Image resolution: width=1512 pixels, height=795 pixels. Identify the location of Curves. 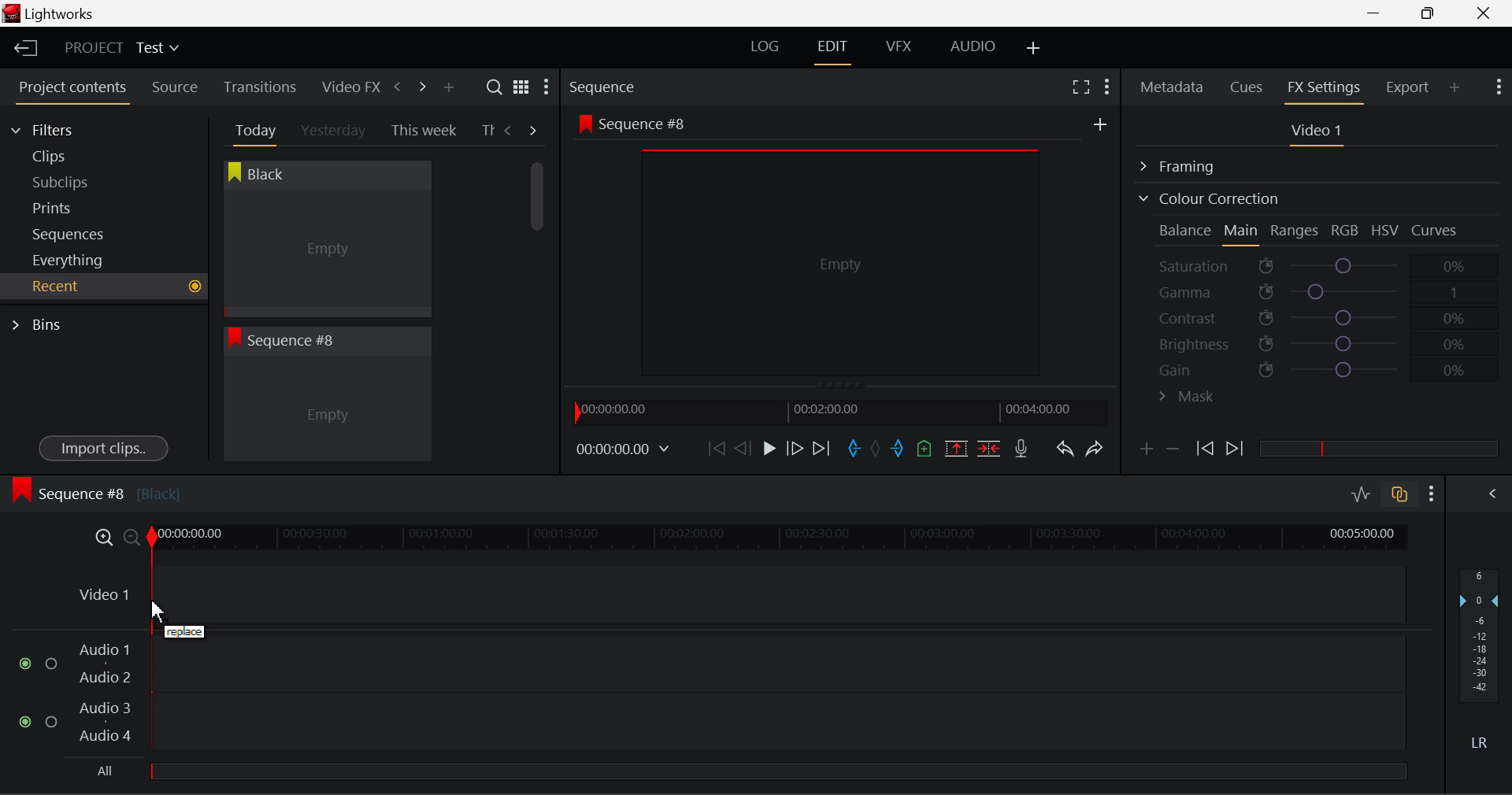
(1436, 230).